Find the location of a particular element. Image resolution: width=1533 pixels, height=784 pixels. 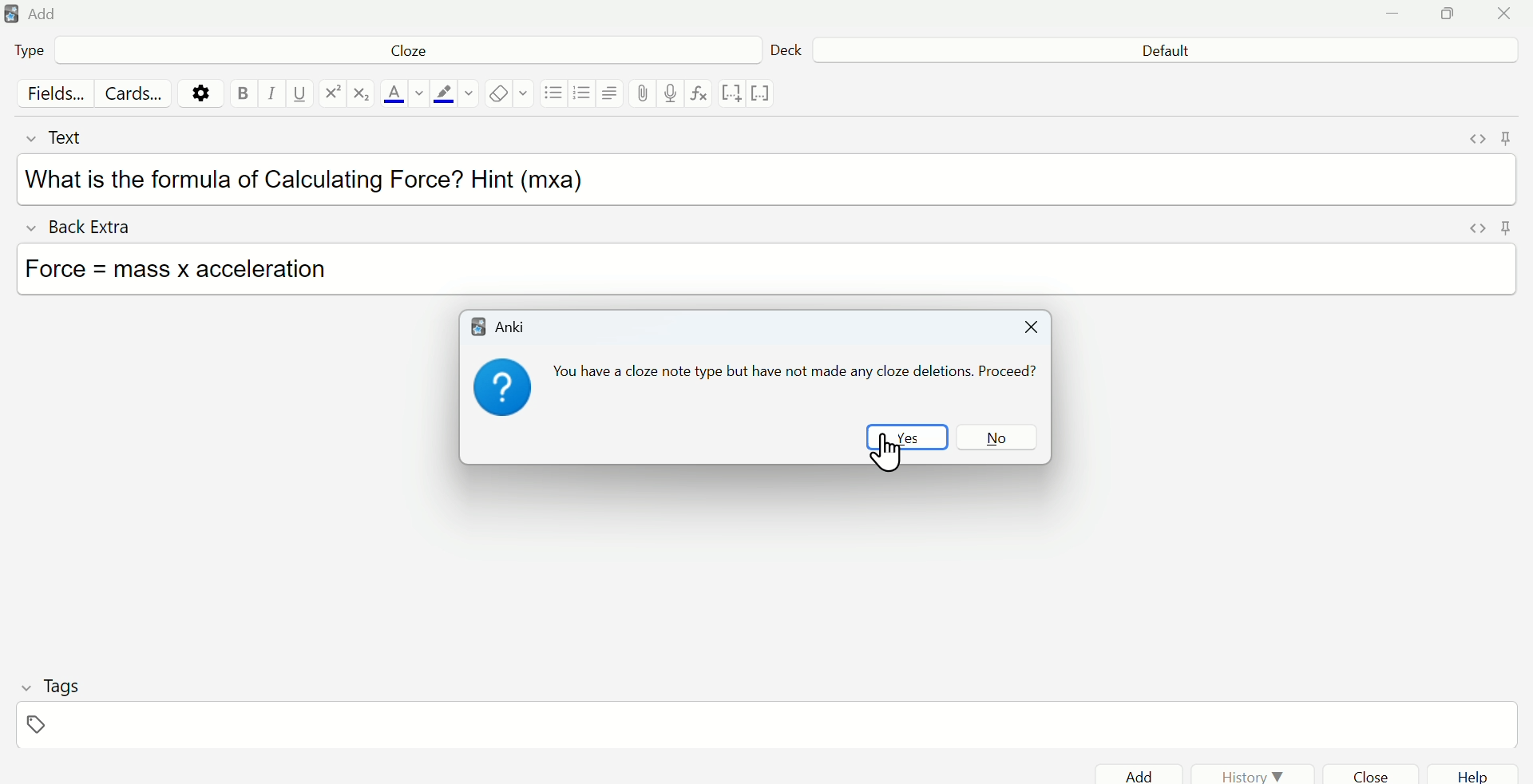

Expand is located at coordinates (1470, 226).